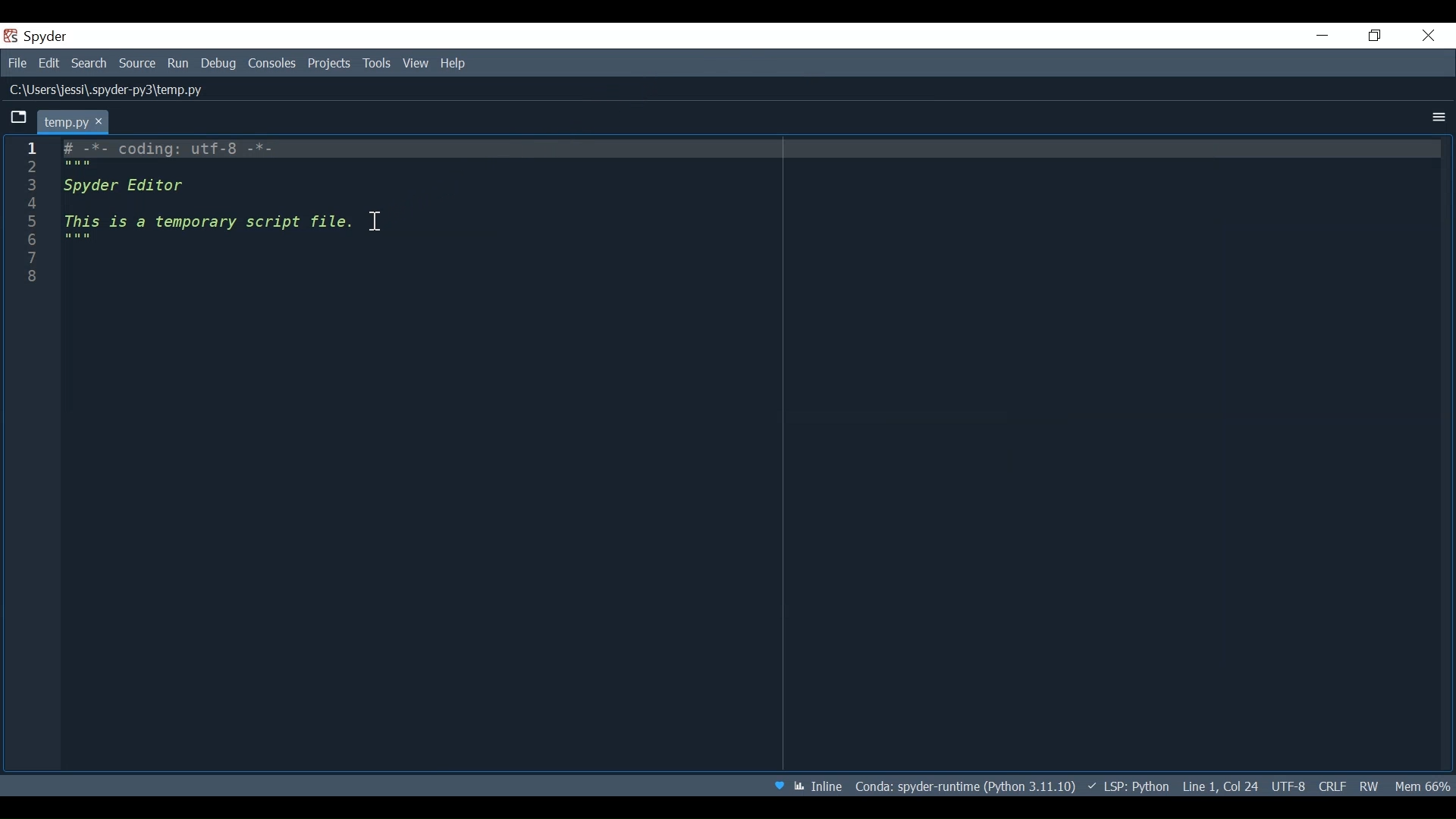  I want to click on LSP: Python, so click(1129, 786).